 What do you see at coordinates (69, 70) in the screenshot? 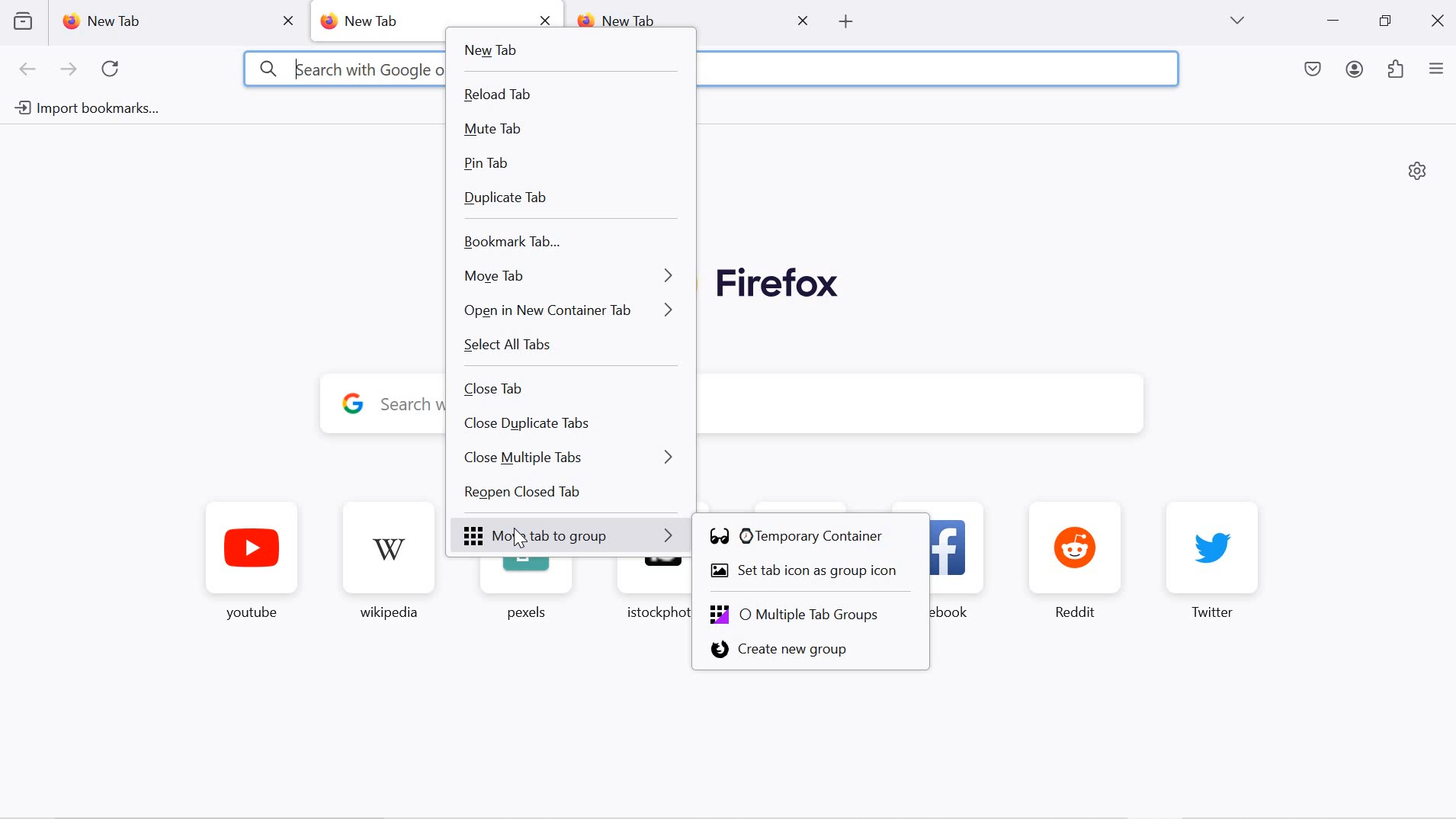
I see `next page` at bounding box center [69, 70].